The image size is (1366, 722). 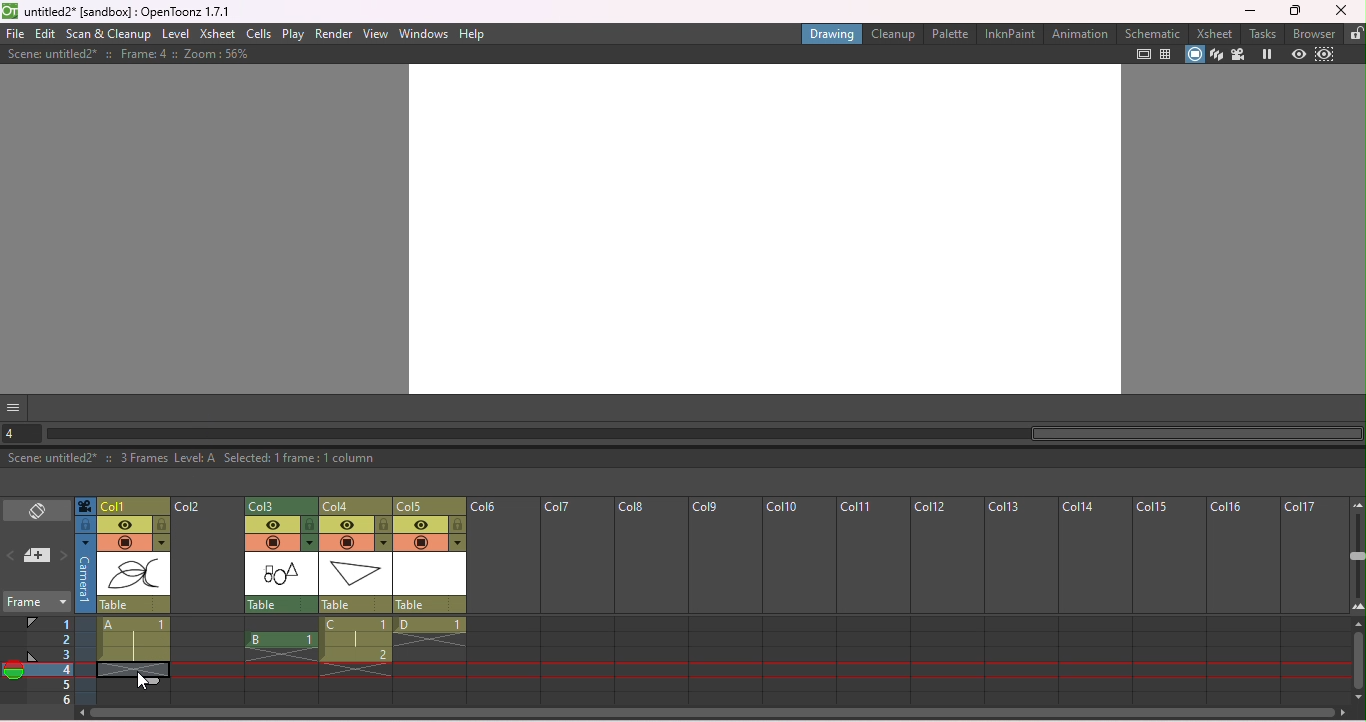 What do you see at coordinates (162, 525) in the screenshot?
I see `lock toggle` at bounding box center [162, 525].